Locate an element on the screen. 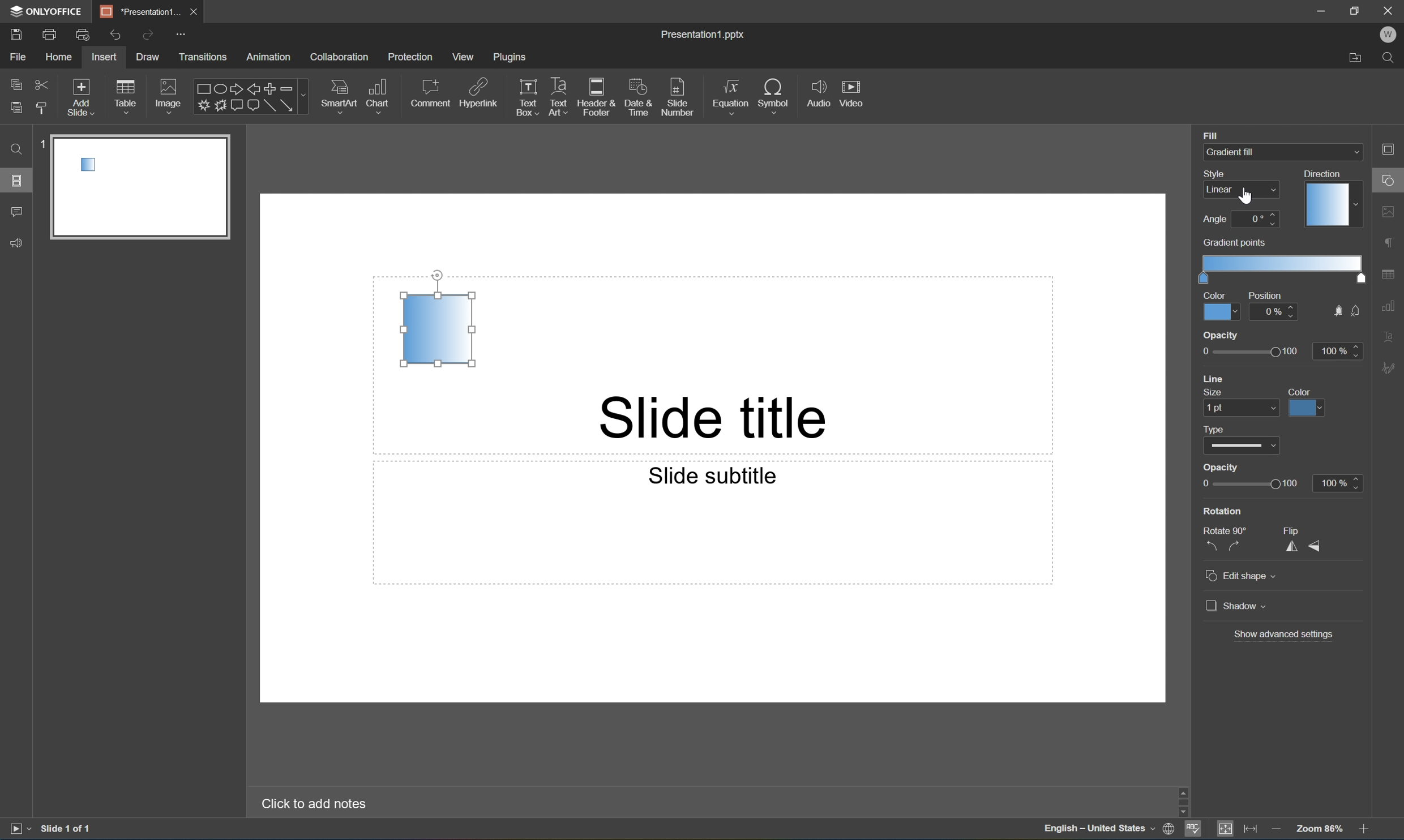 The image size is (1404, 840). 1 is located at coordinates (43, 144).